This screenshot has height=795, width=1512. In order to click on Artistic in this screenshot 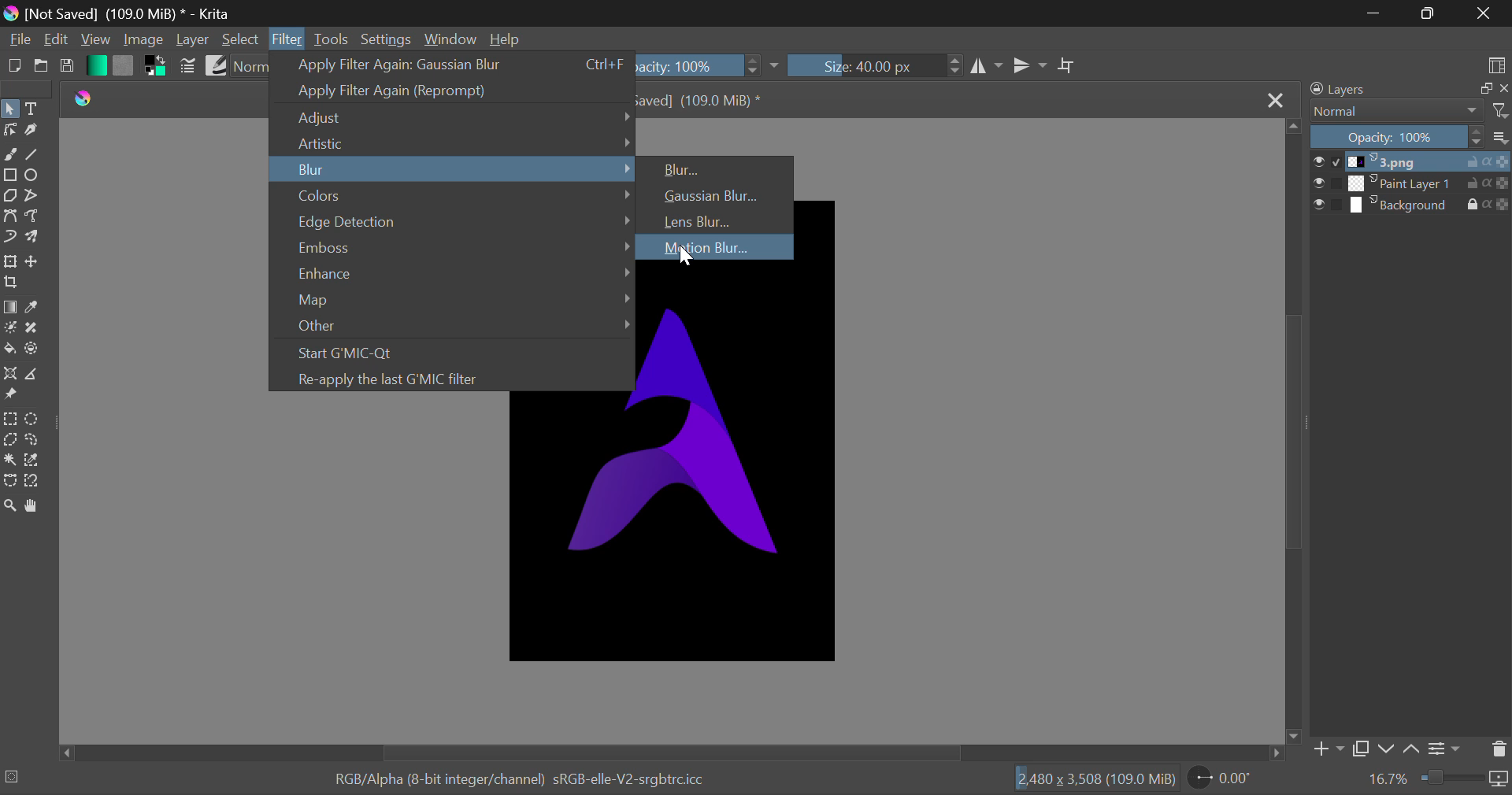, I will do `click(454, 142)`.